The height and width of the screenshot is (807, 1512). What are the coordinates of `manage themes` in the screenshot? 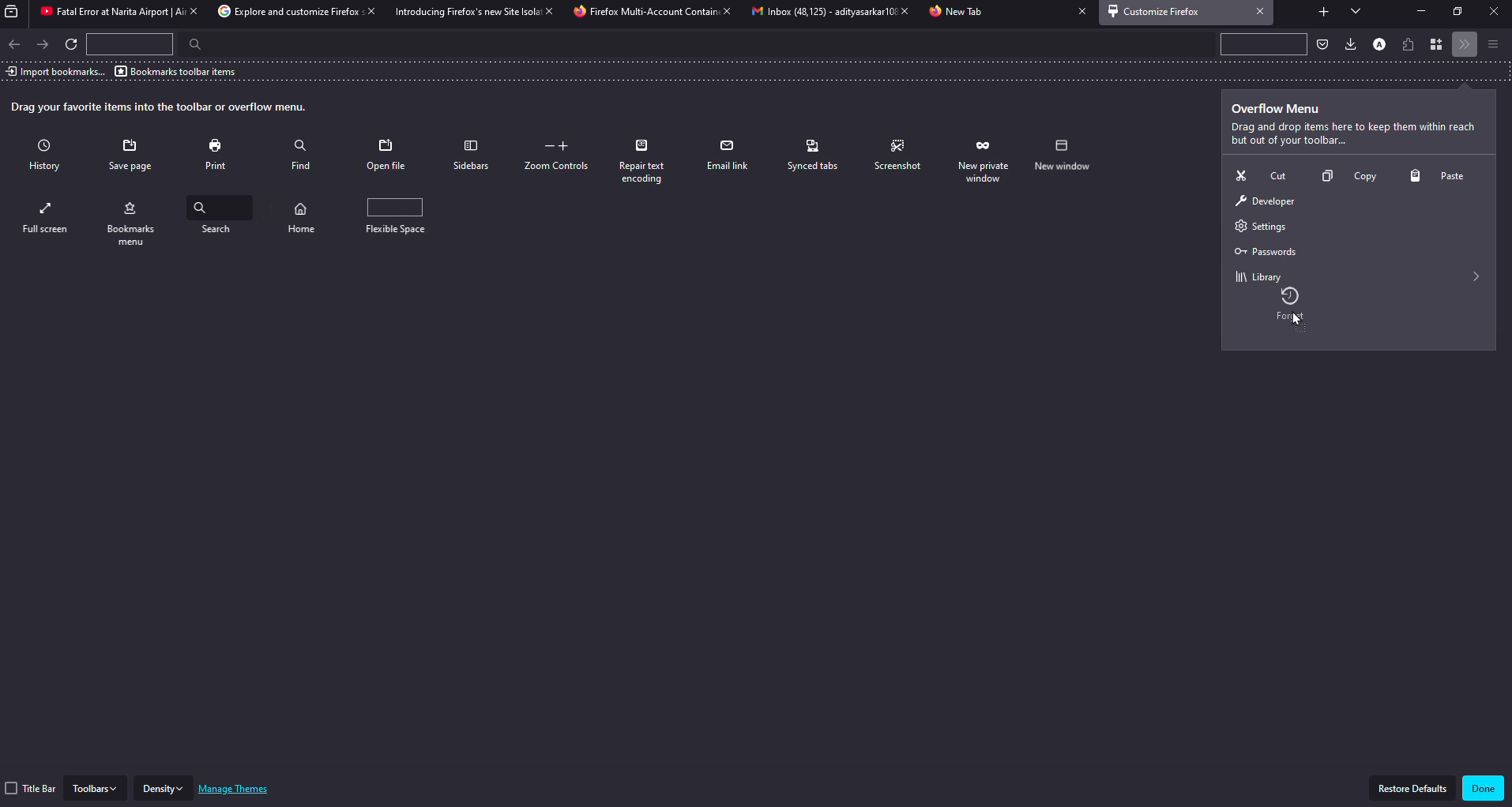 It's located at (238, 789).